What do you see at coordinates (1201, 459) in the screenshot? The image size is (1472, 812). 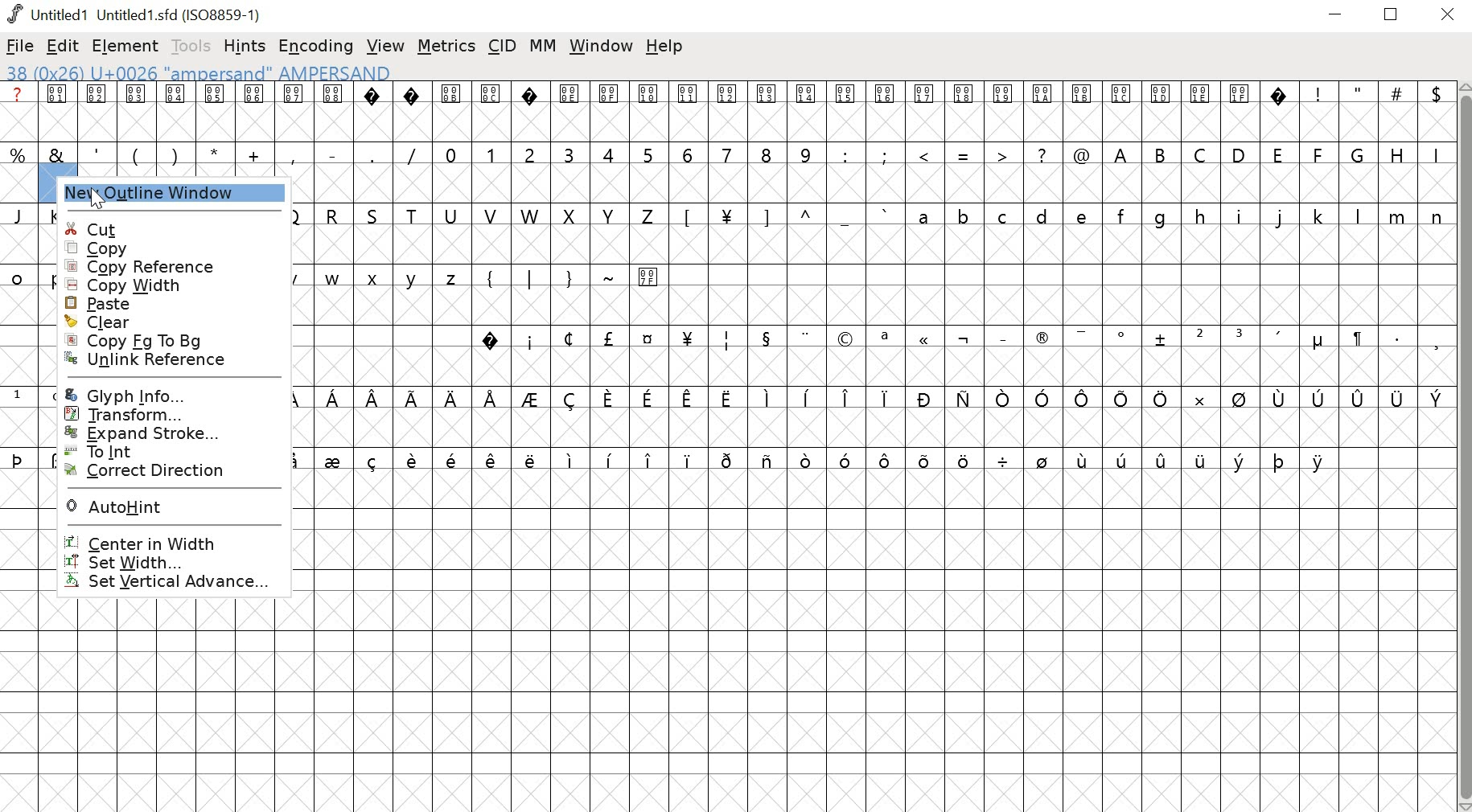 I see `symbol` at bounding box center [1201, 459].